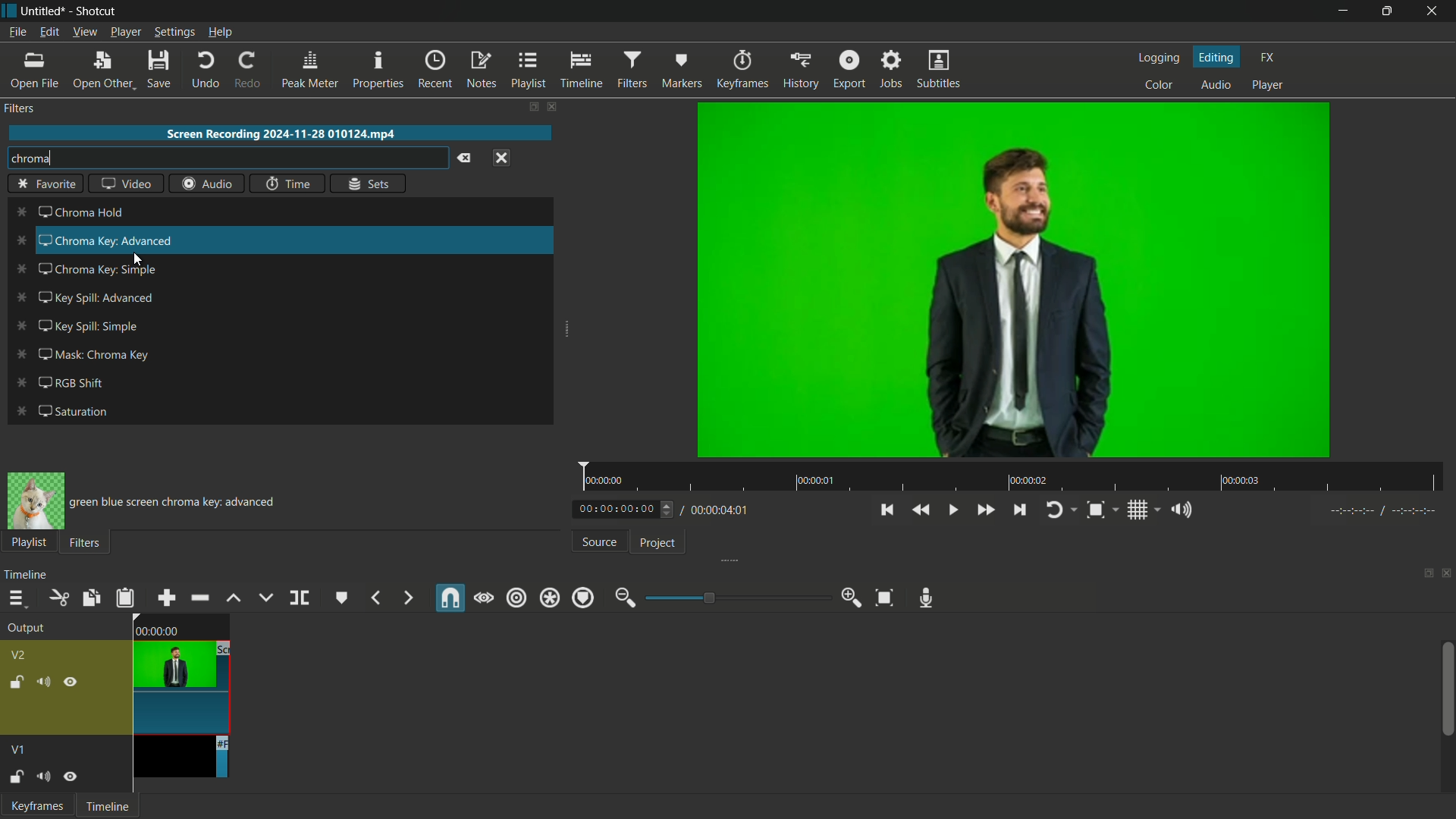 The height and width of the screenshot is (819, 1456). I want to click on copy, so click(90, 598).